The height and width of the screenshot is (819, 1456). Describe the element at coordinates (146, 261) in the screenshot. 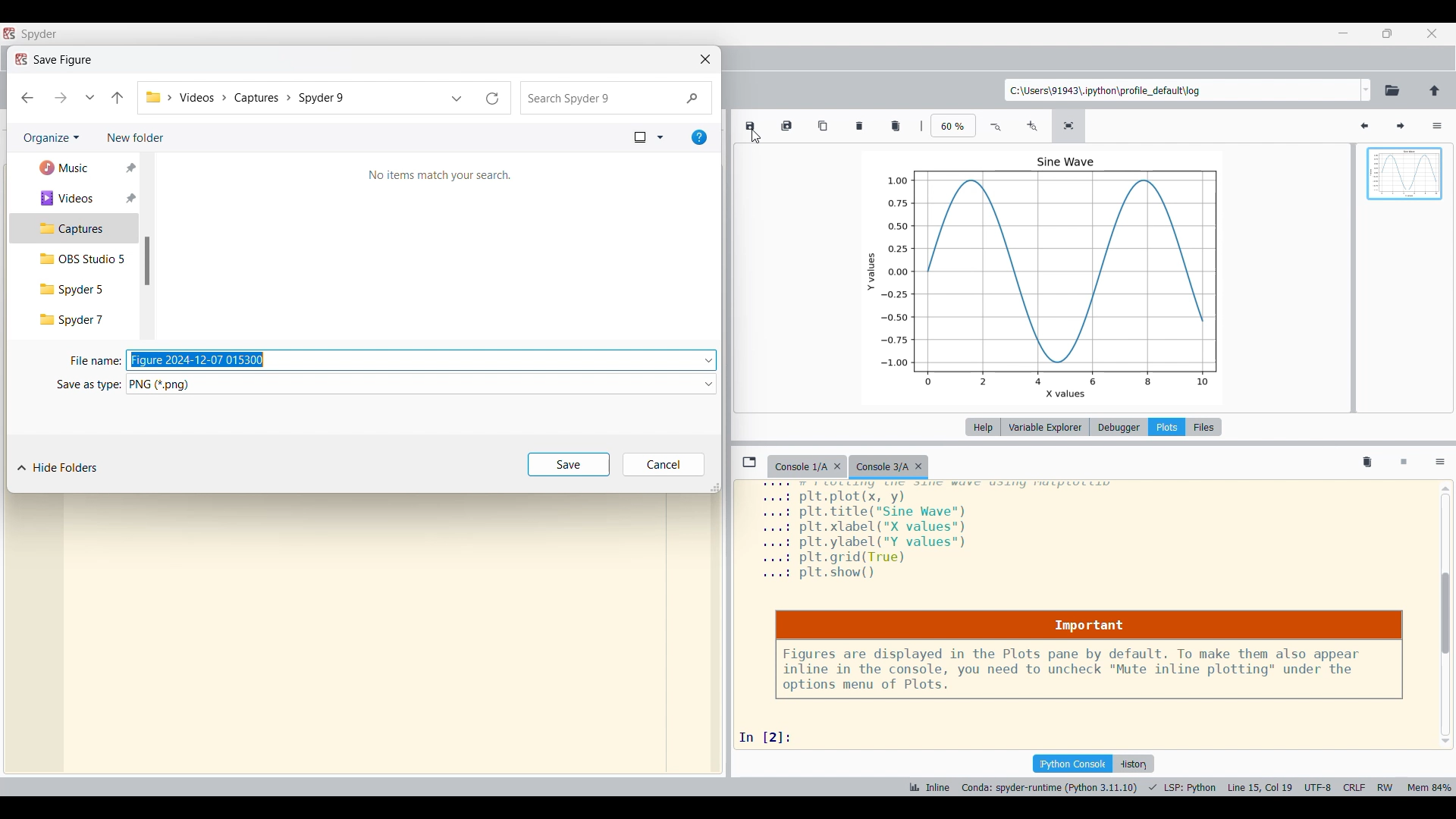

I see `Vertical slide bar` at that location.